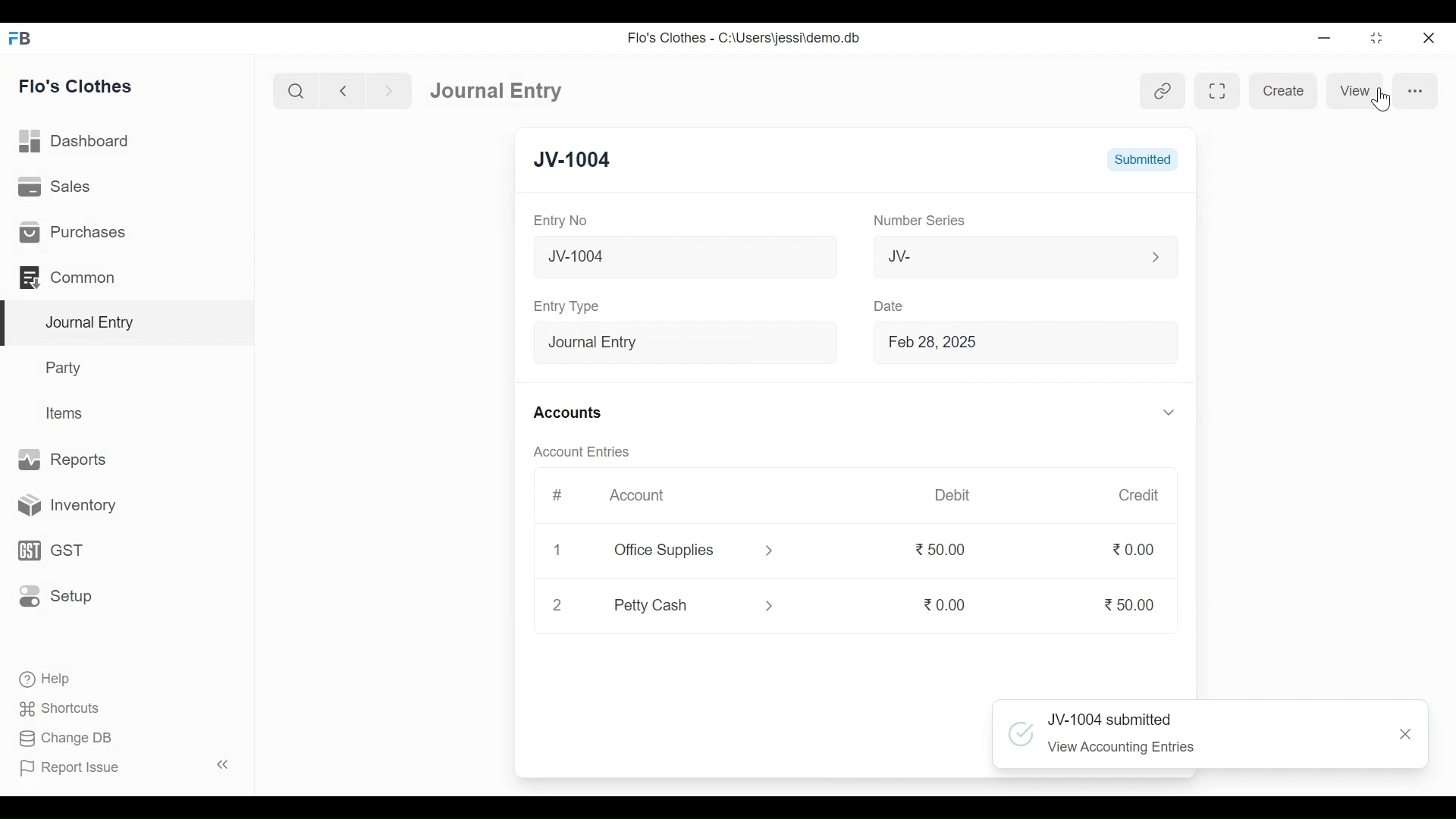 This screenshot has height=819, width=1456. Describe the element at coordinates (67, 413) in the screenshot. I see `Items` at that location.